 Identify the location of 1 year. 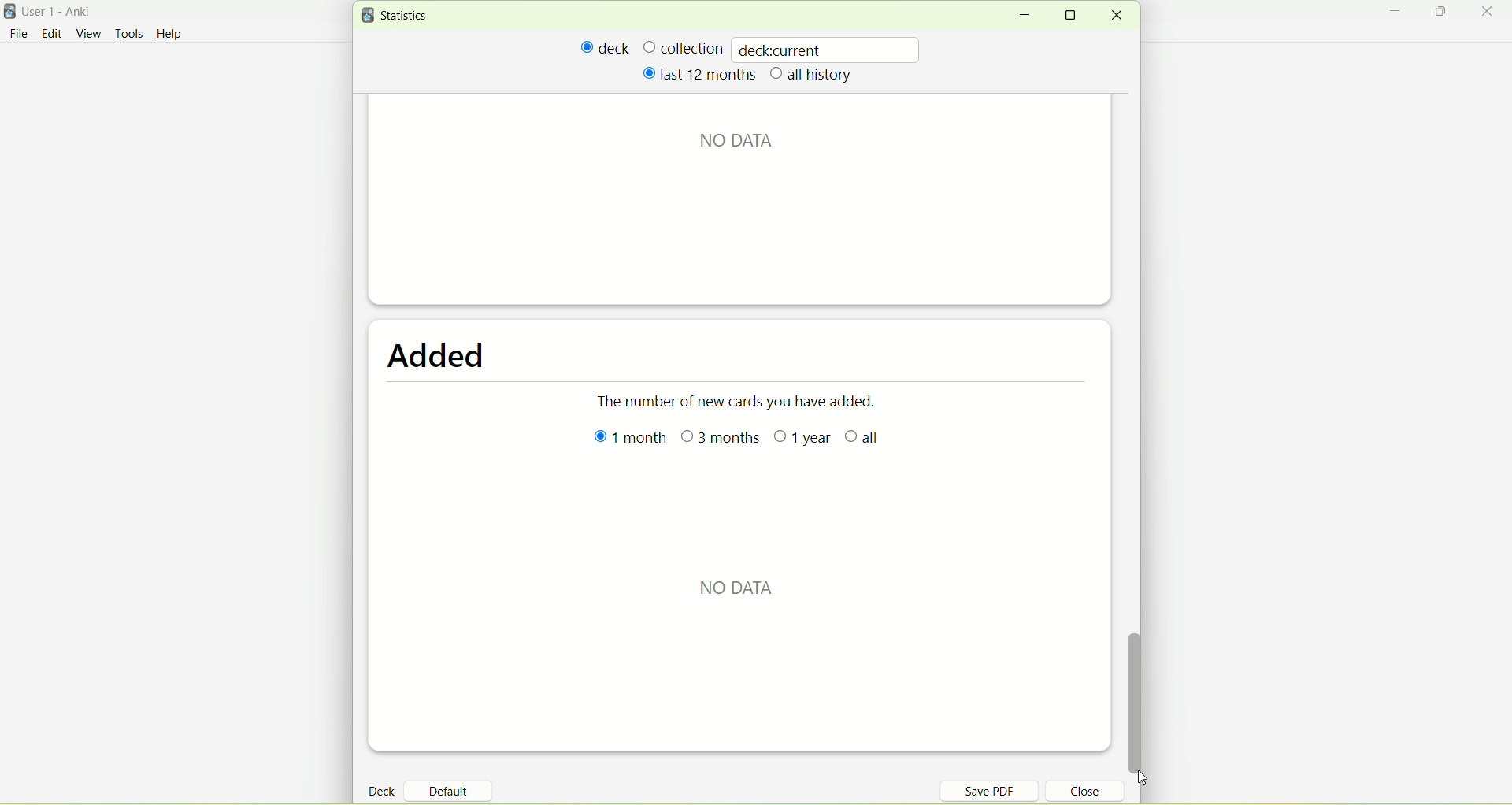
(801, 441).